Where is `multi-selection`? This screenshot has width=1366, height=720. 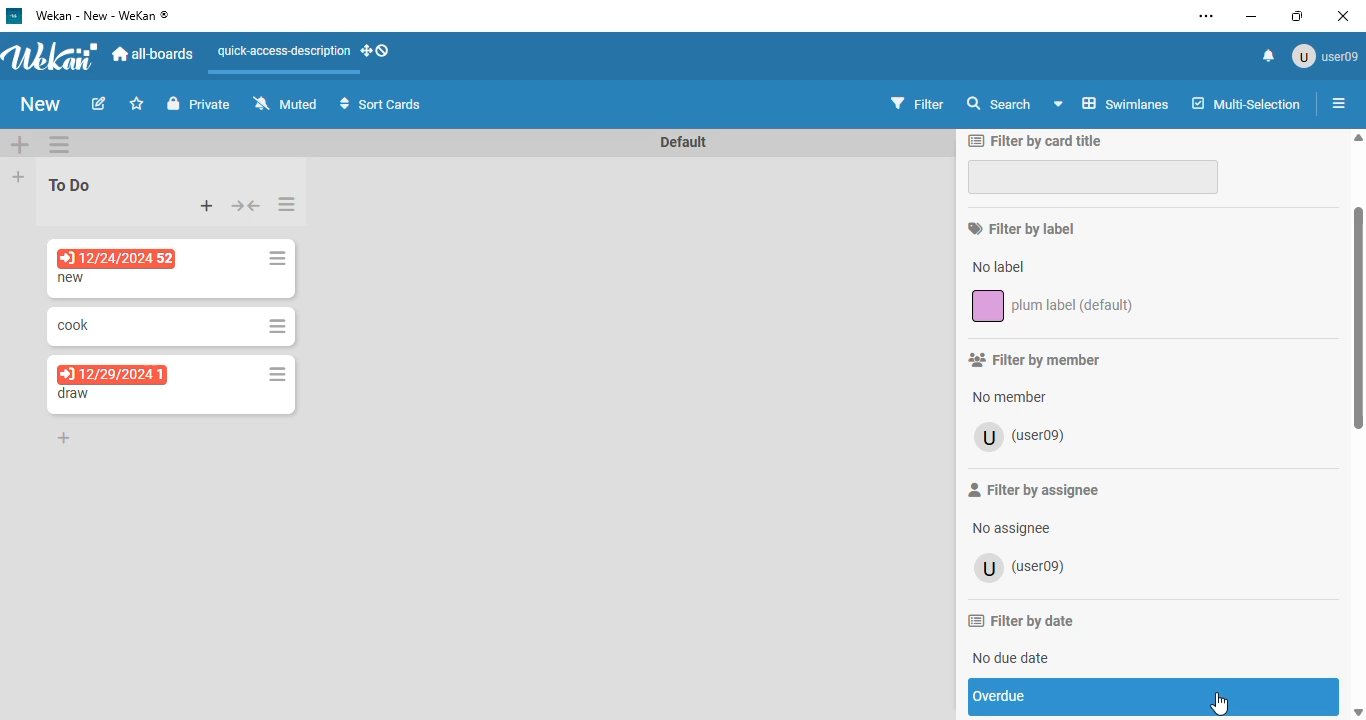
multi-selection is located at coordinates (1246, 103).